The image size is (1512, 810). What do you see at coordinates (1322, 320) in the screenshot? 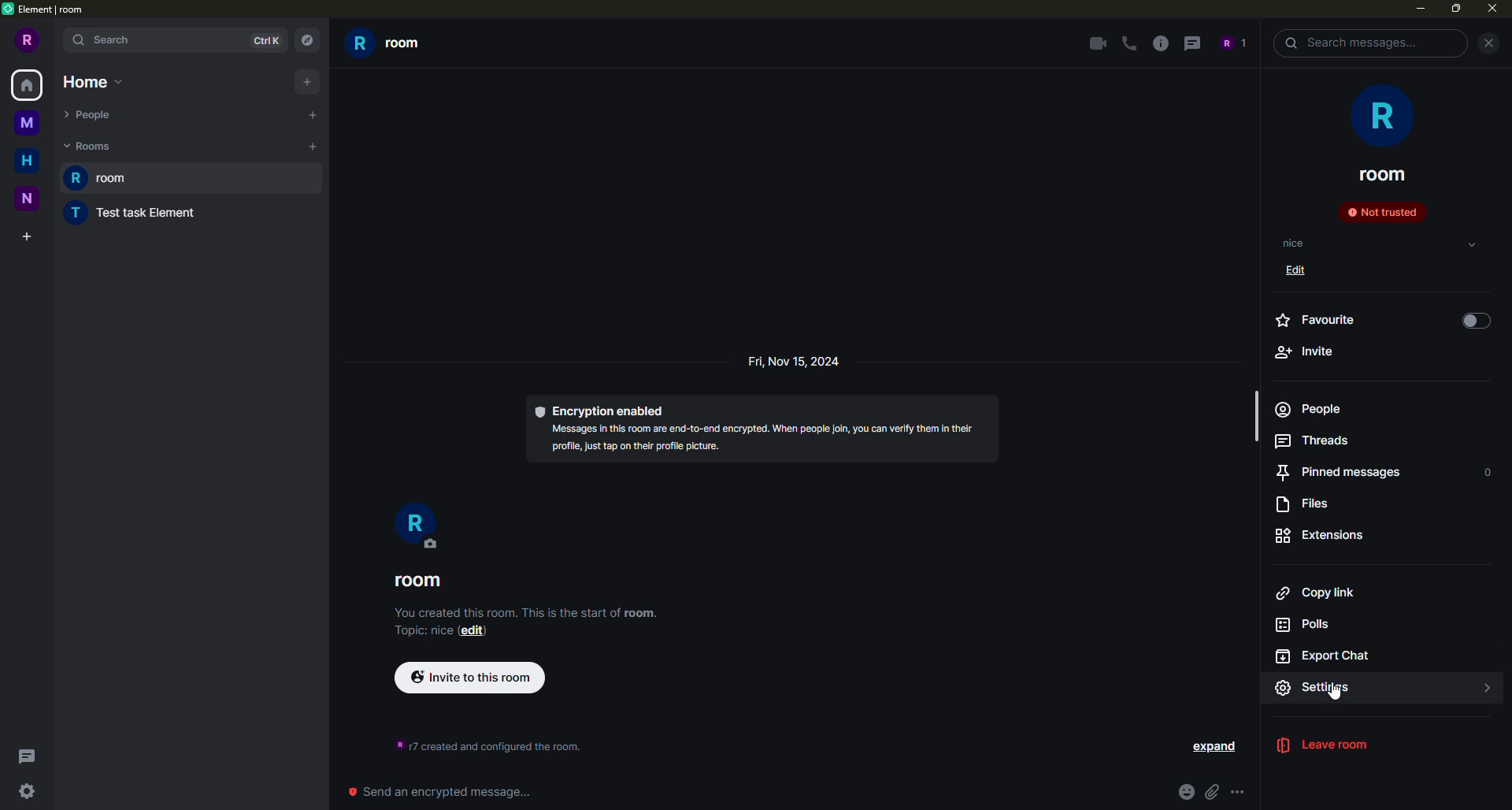
I see `favorite` at bounding box center [1322, 320].